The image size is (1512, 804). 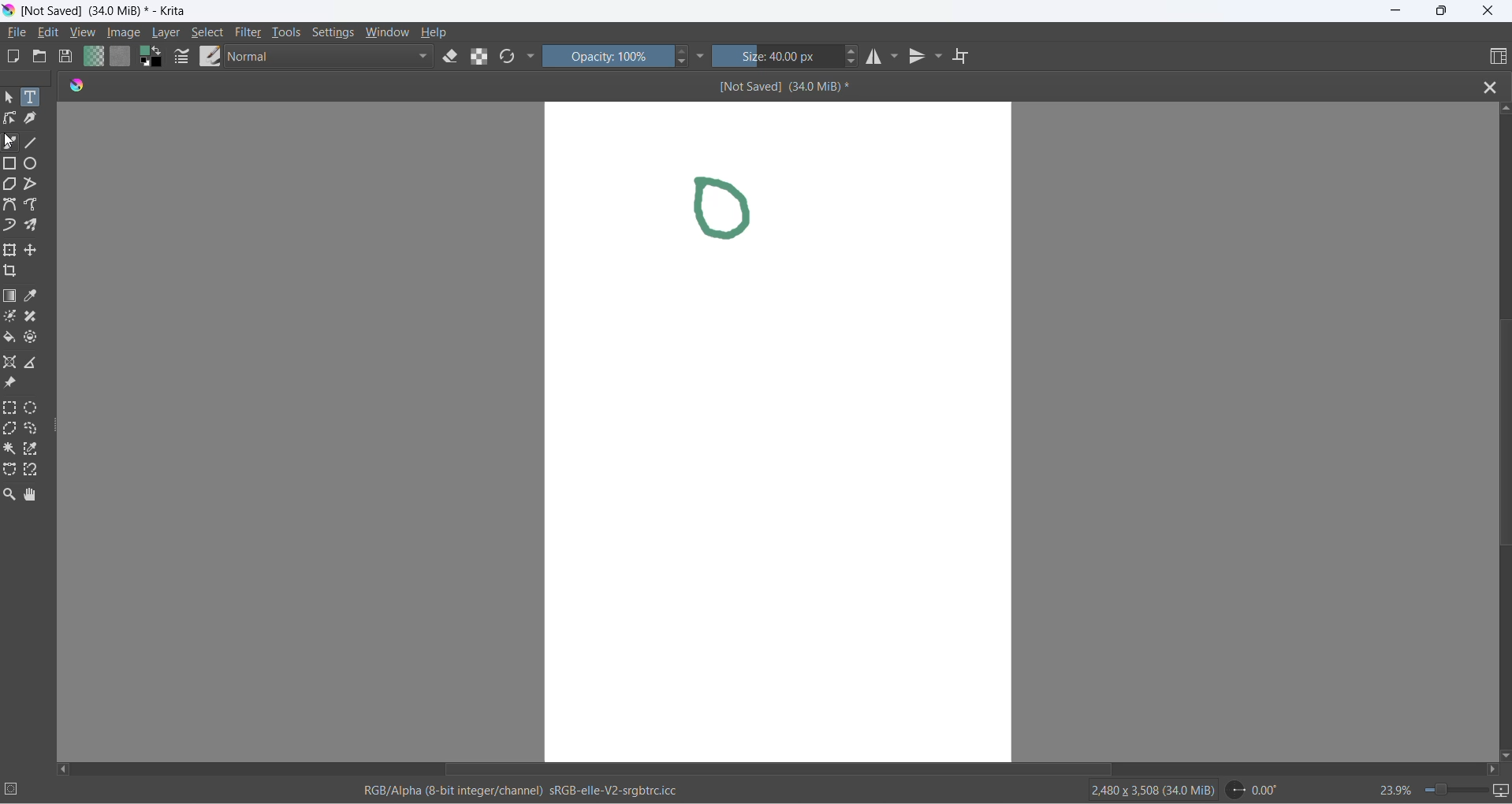 What do you see at coordinates (34, 297) in the screenshot?
I see `sample a color from image` at bounding box center [34, 297].